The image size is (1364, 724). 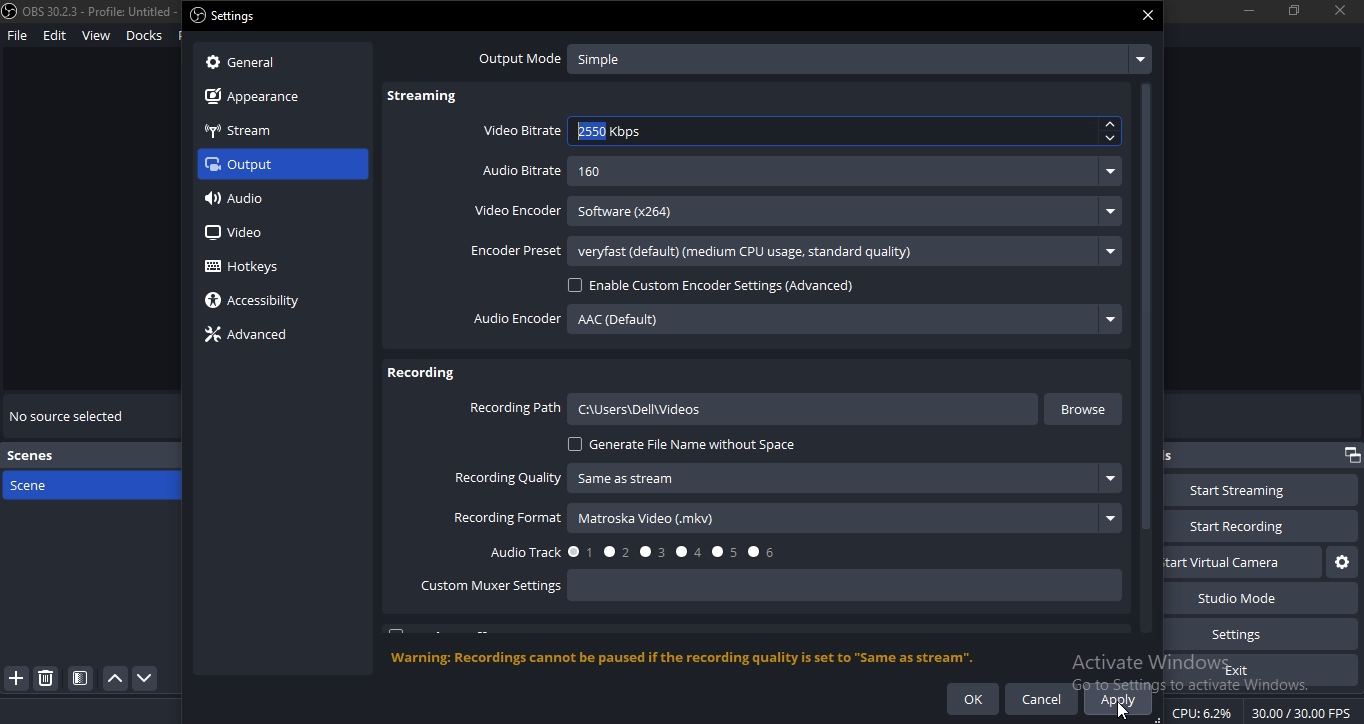 What do you see at coordinates (256, 301) in the screenshot?
I see `accessiblity` at bounding box center [256, 301].